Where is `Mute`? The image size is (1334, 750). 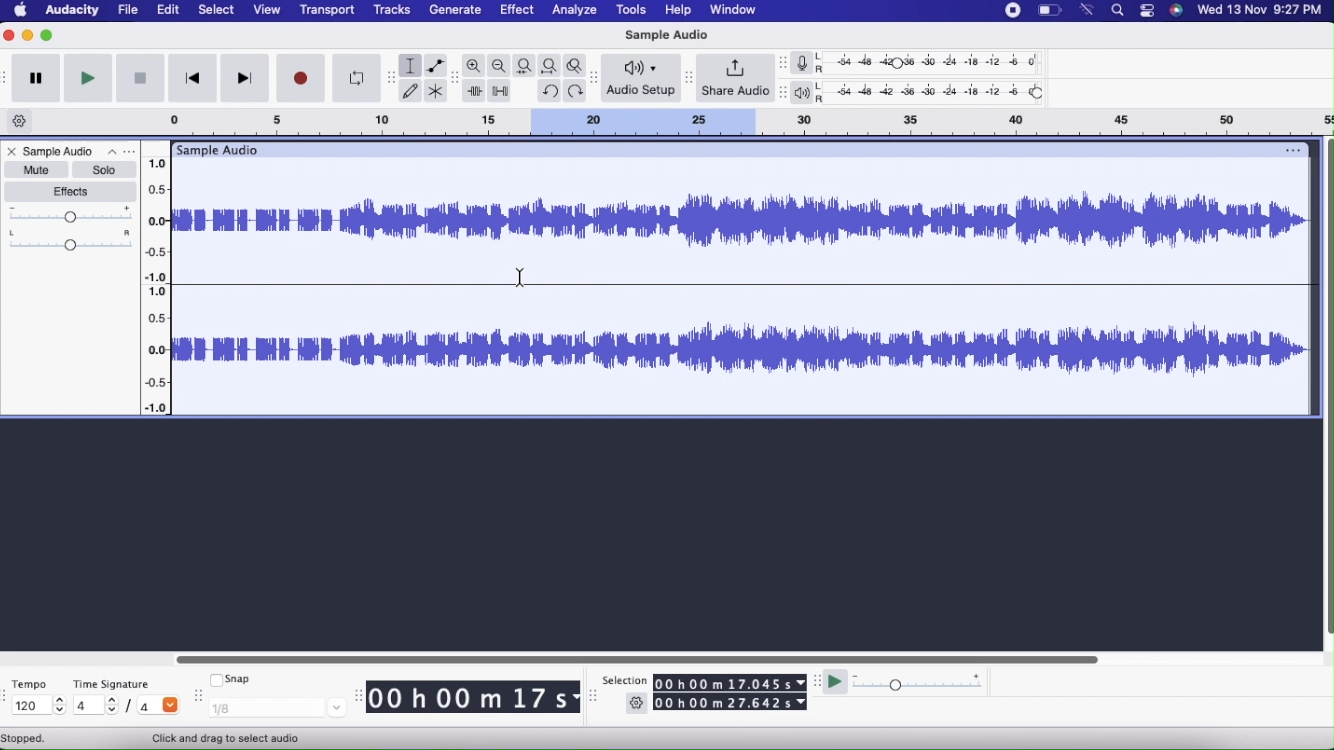 Mute is located at coordinates (35, 169).